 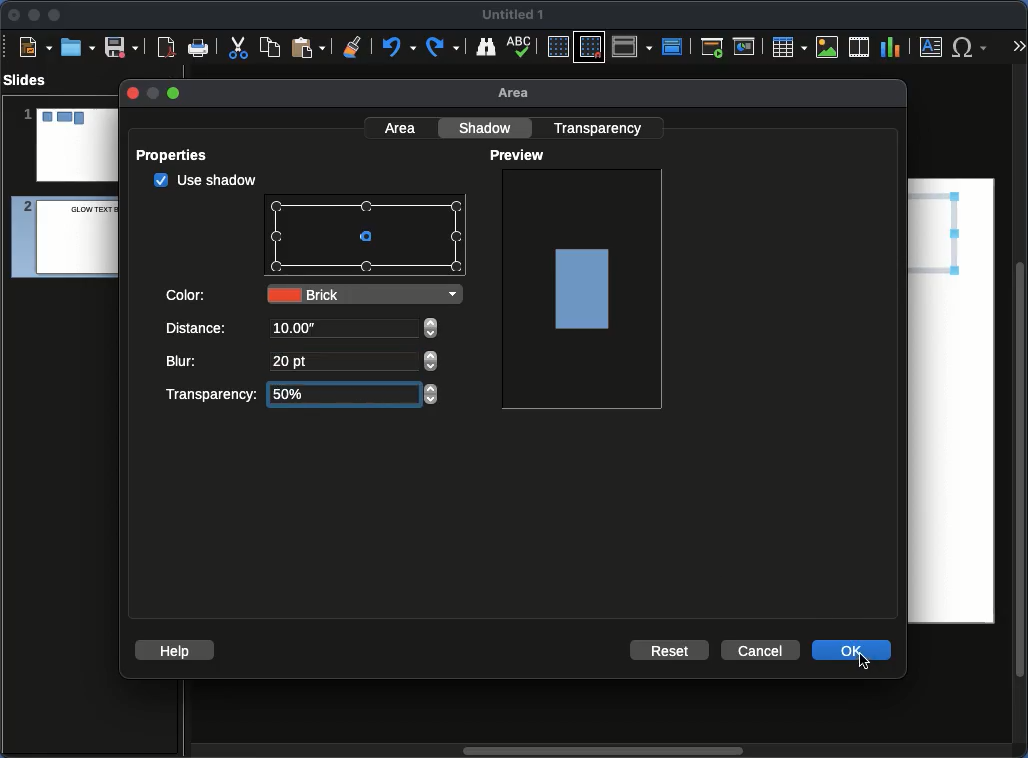 What do you see at coordinates (828, 47) in the screenshot?
I see `Image` at bounding box center [828, 47].